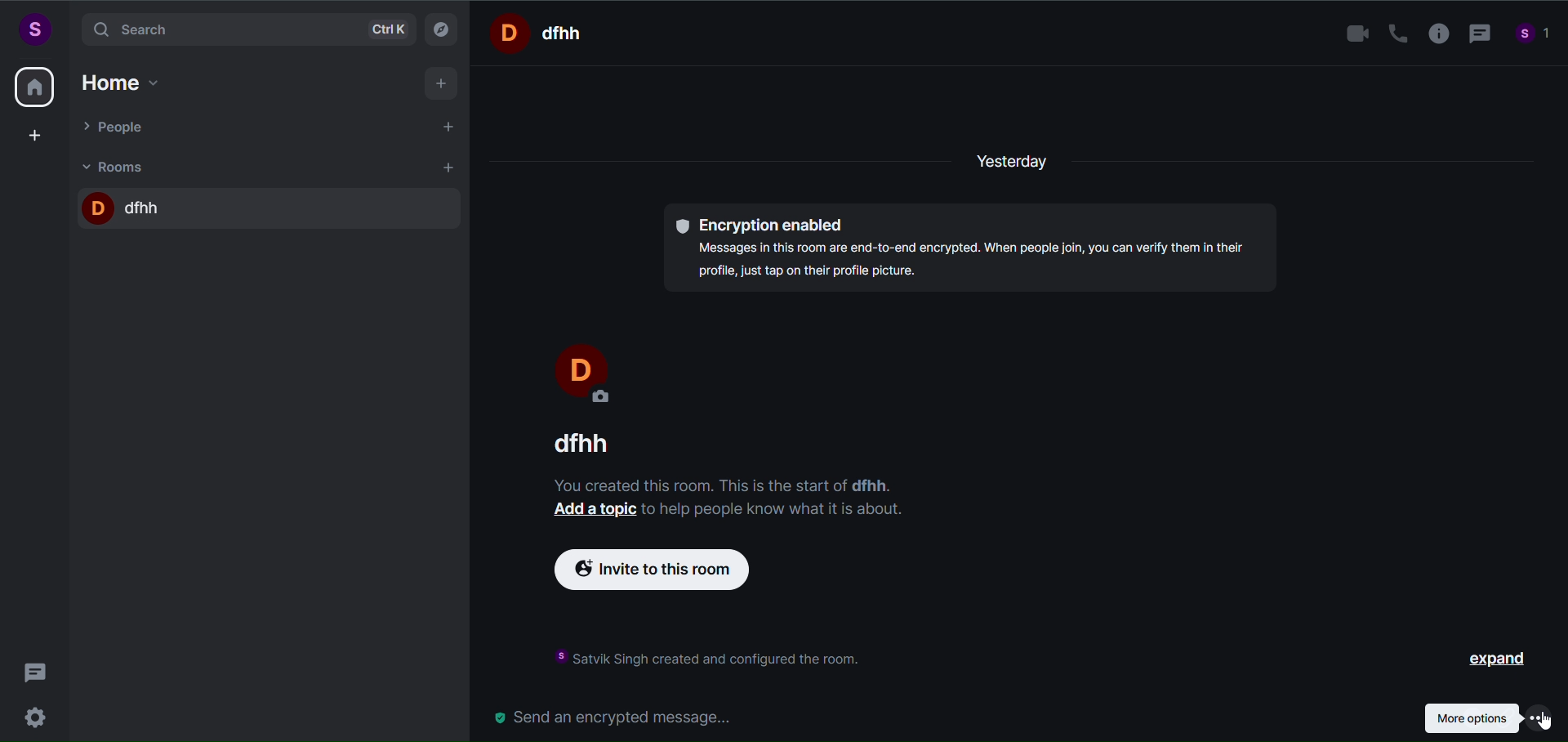 Image resolution: width=1568 pixels, height=742 pixels. I want to click on explore room, so click(443, 28).